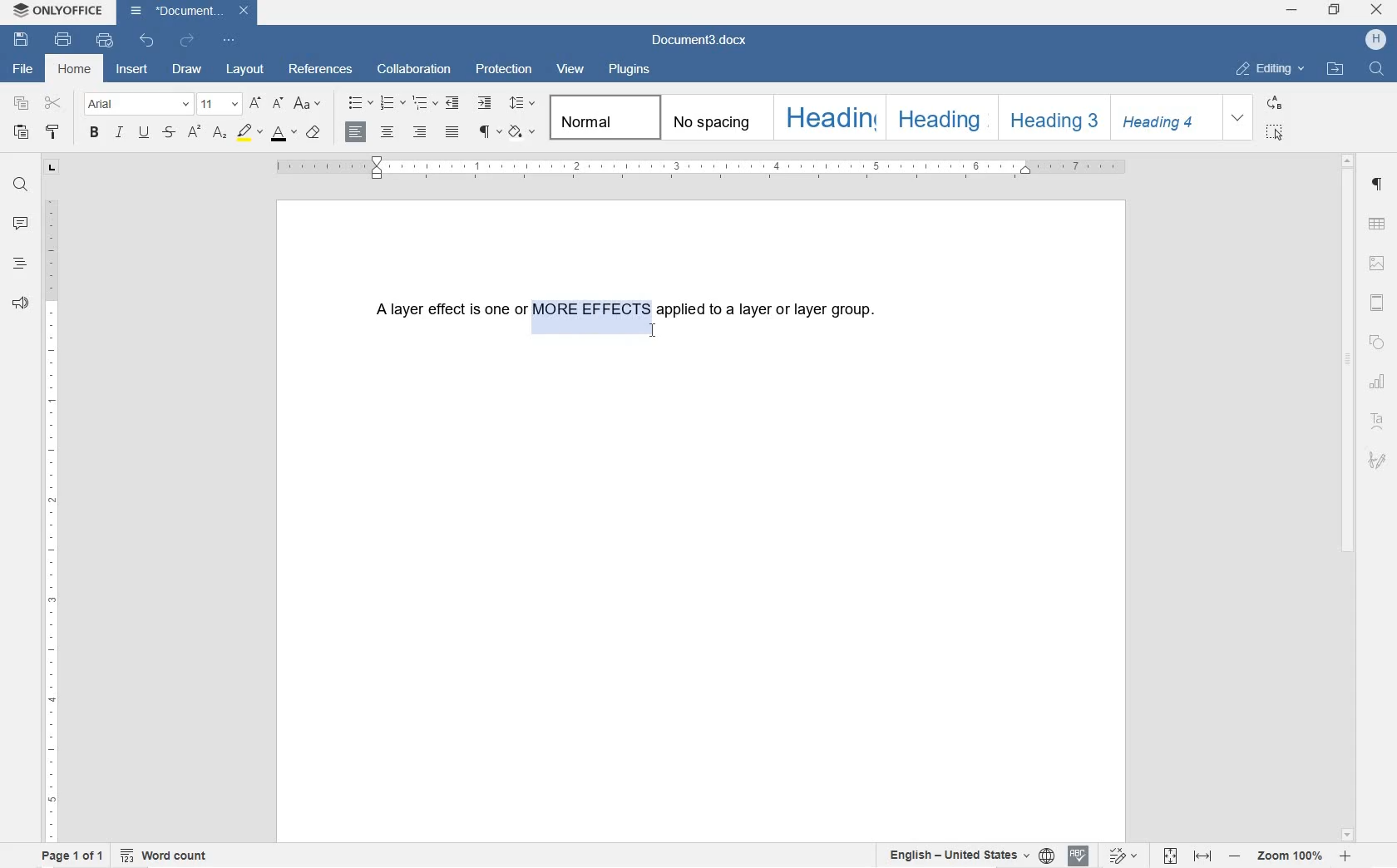 Image resolution: width=1397 pixels, height=868 pixels. What do you see at coordinates (137, 103) in the screenshot?
I see `FONT NAME` at bounding box center [137, 103].